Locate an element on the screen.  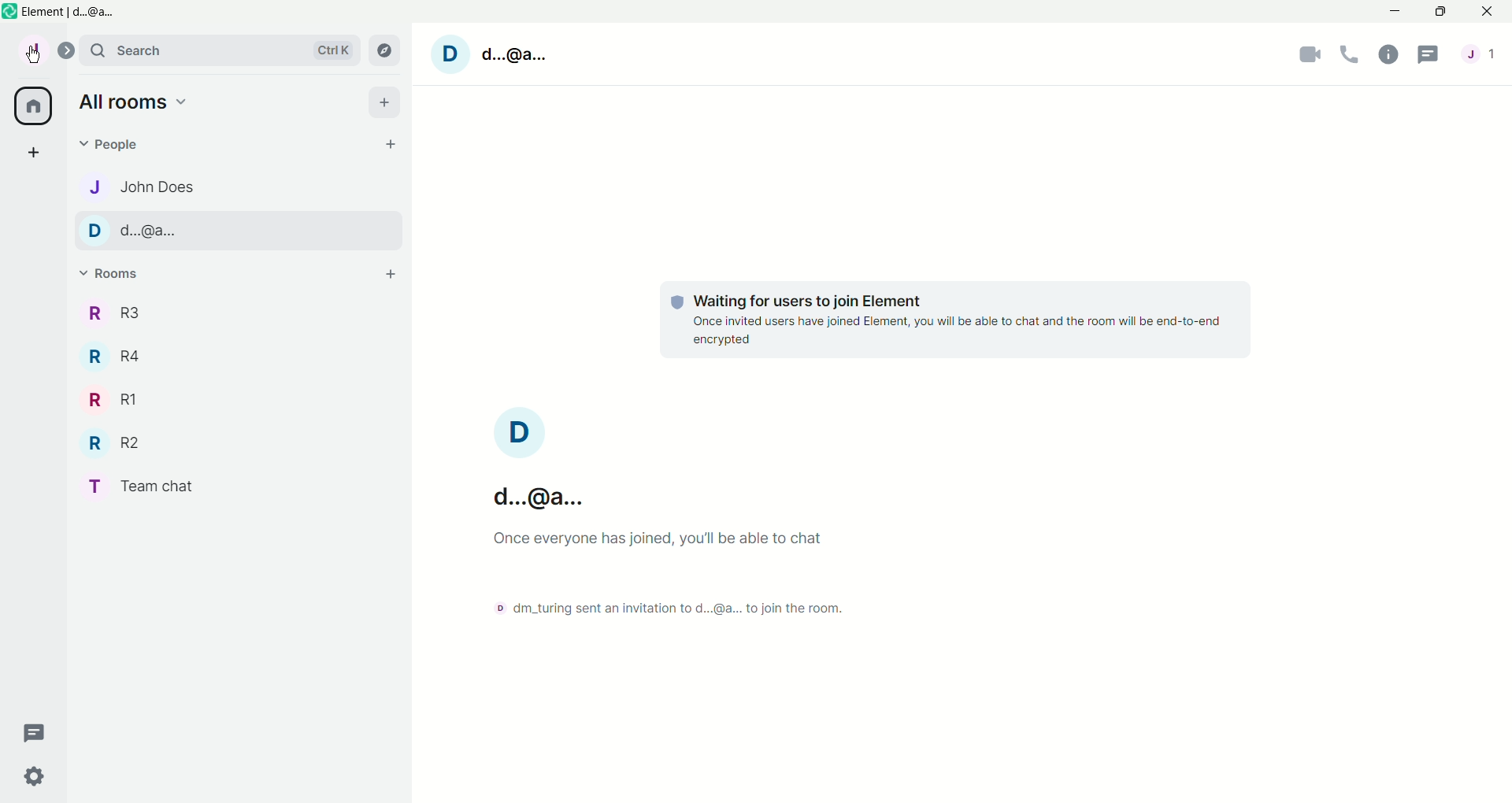
Video call is located at coordinates (1310, 56).